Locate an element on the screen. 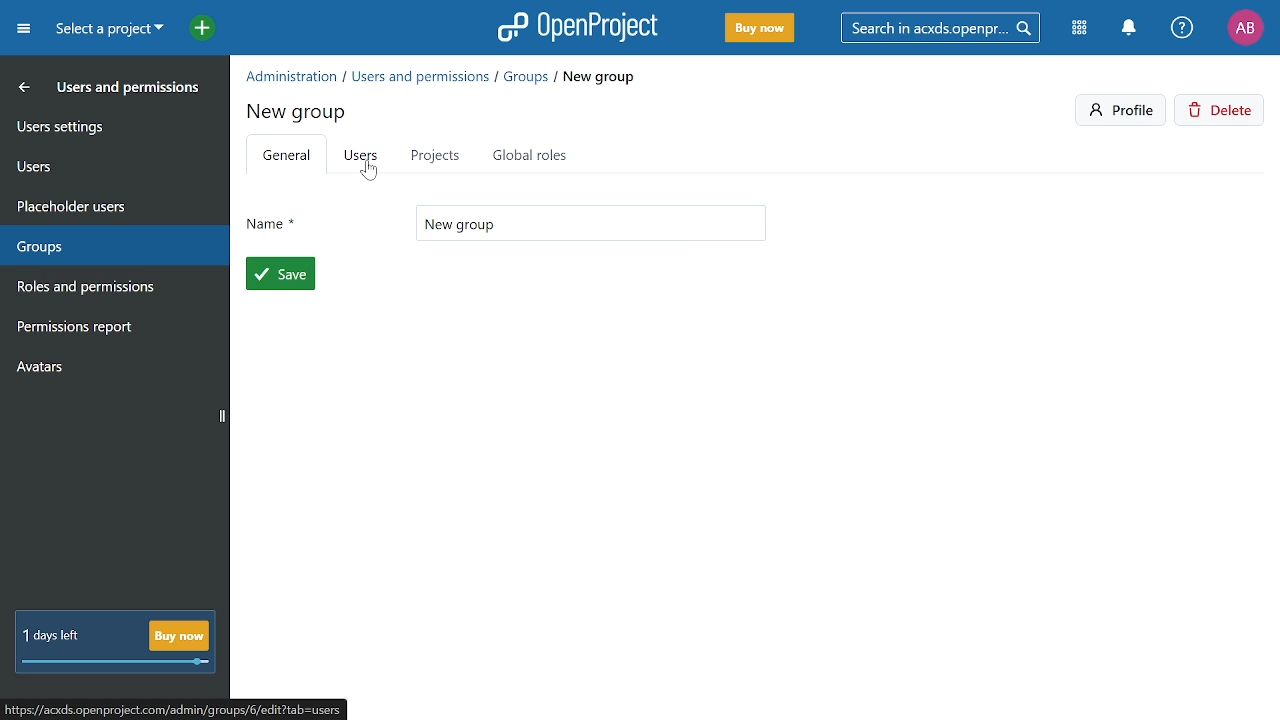  Open project logo is located at coordinates (578, 27).